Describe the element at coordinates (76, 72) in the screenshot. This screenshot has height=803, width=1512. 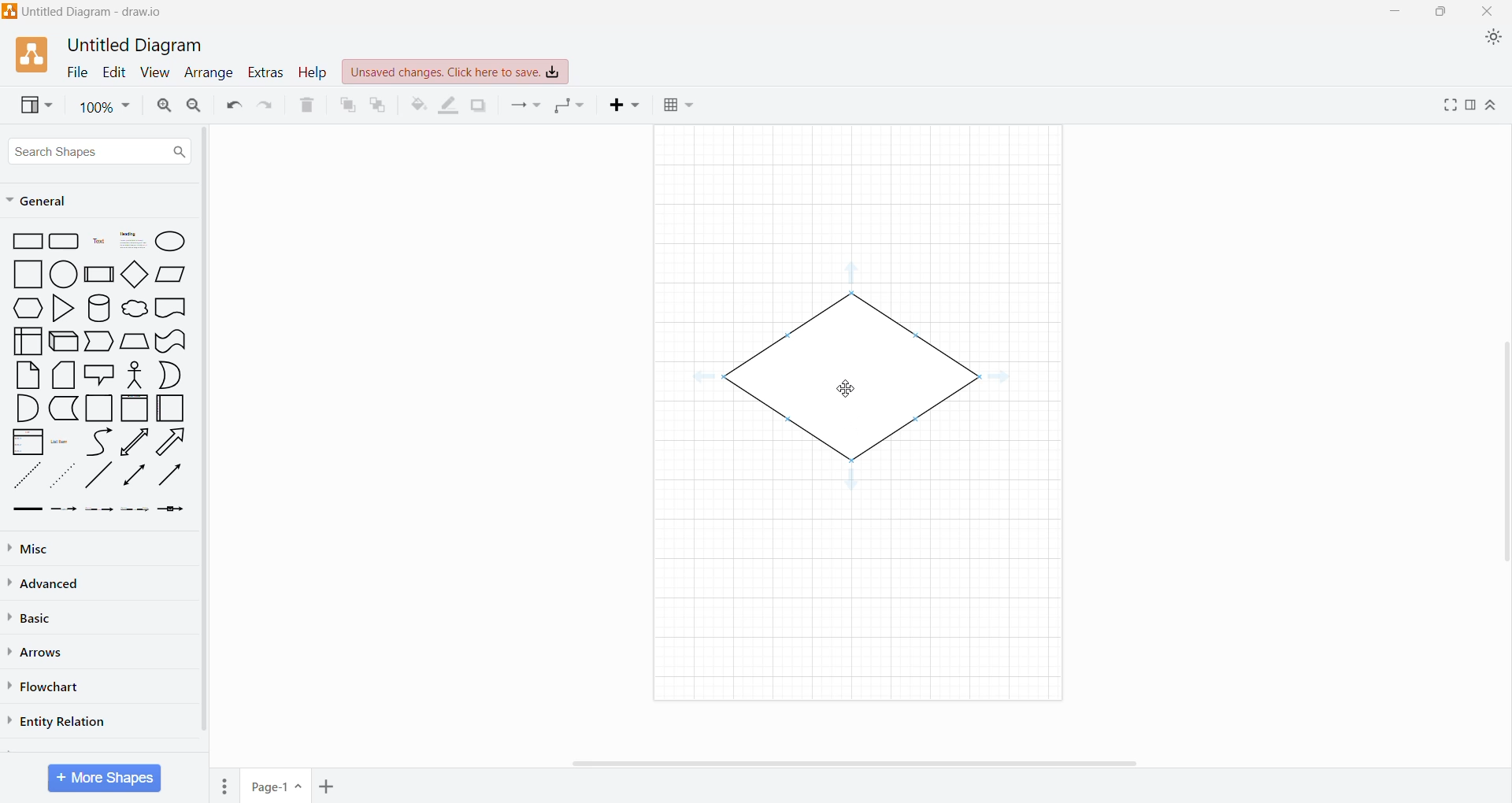
I see `File` at that location.